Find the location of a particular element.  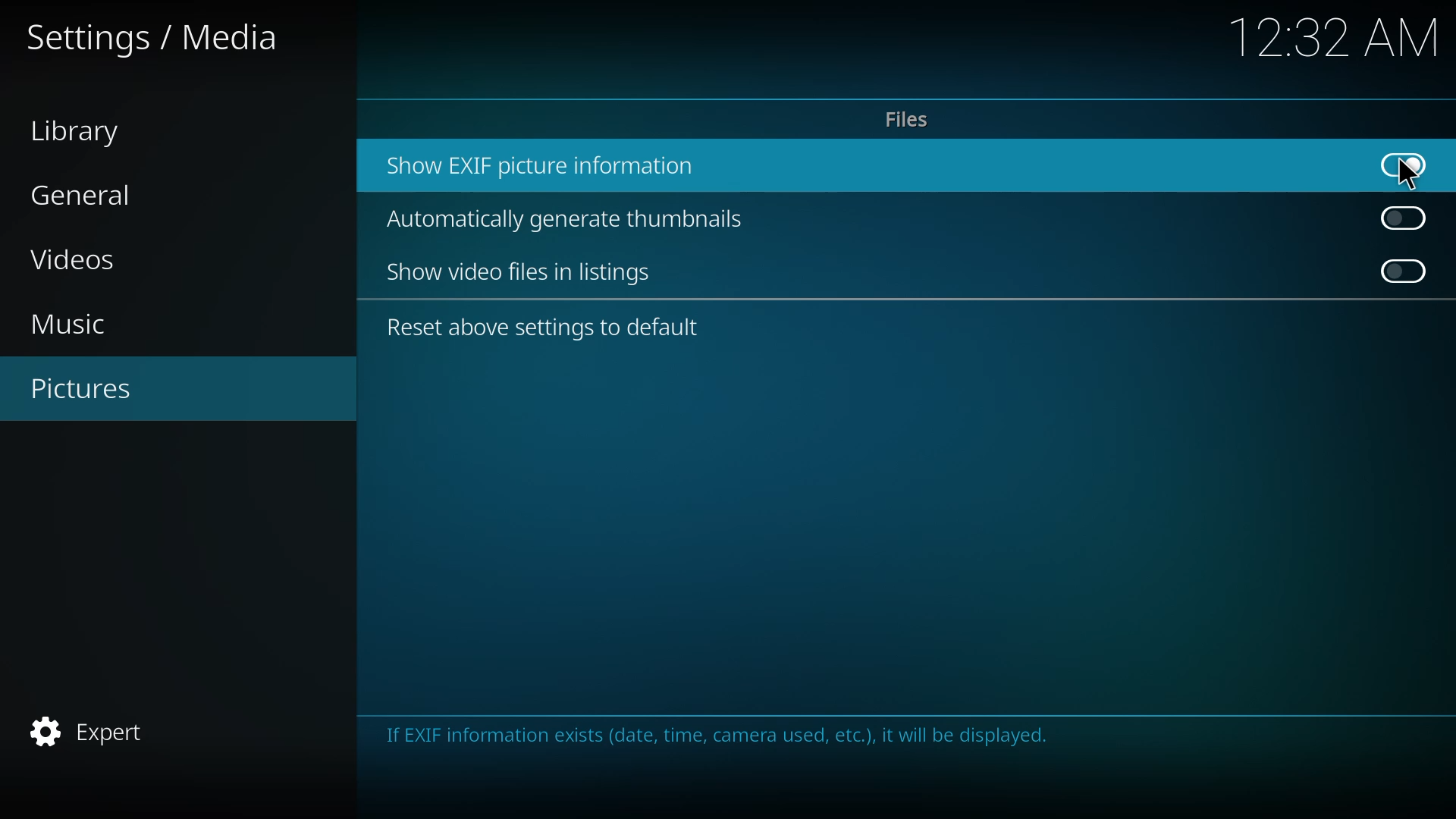

files is located at coordinates (908, 119).